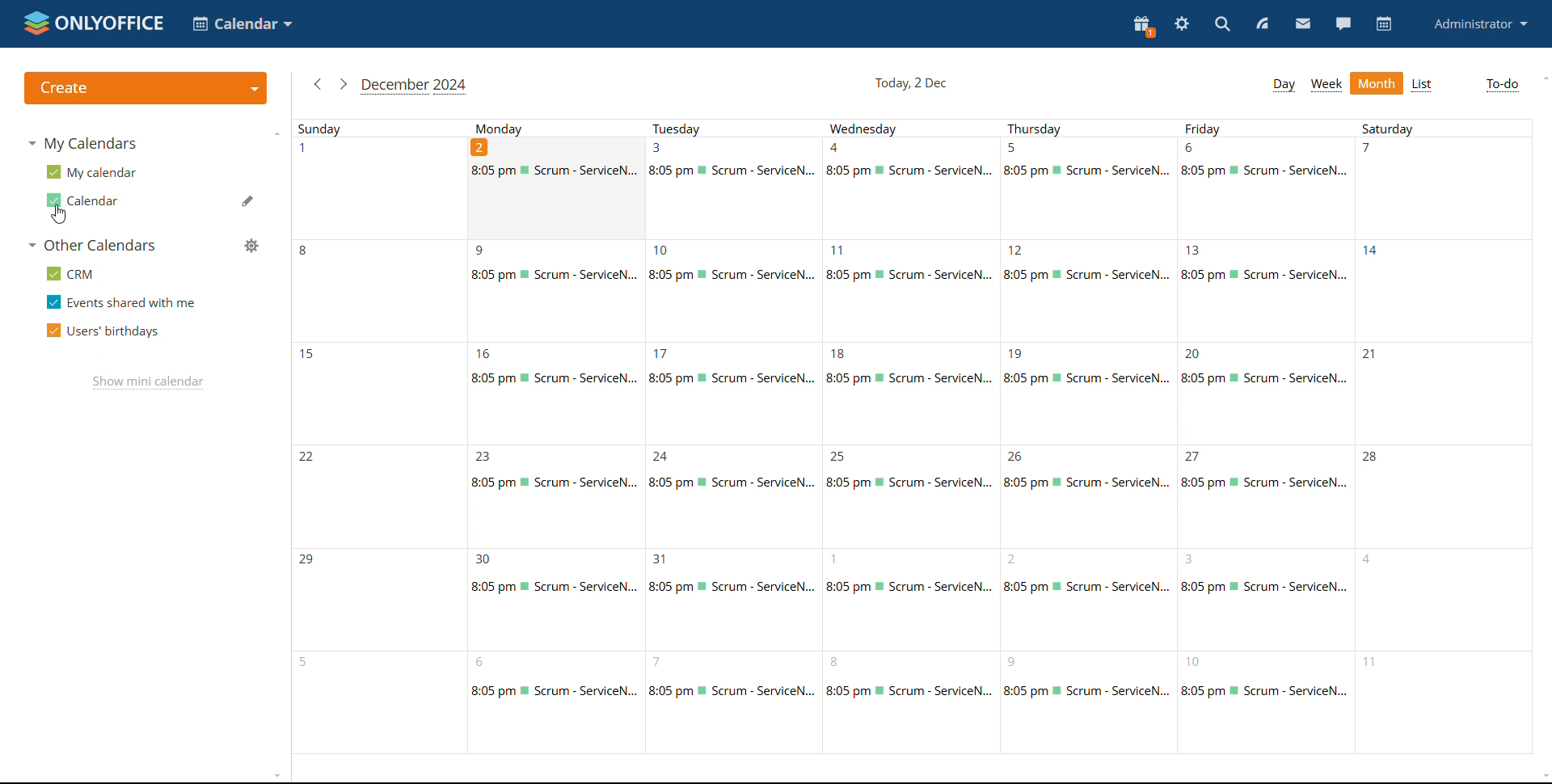 The height and width of the screenshot is (784, 1552). What do you see at coordinates (1542, 78) in the screenshot?
I see `scroll up` at bounding box center [1542, 78].